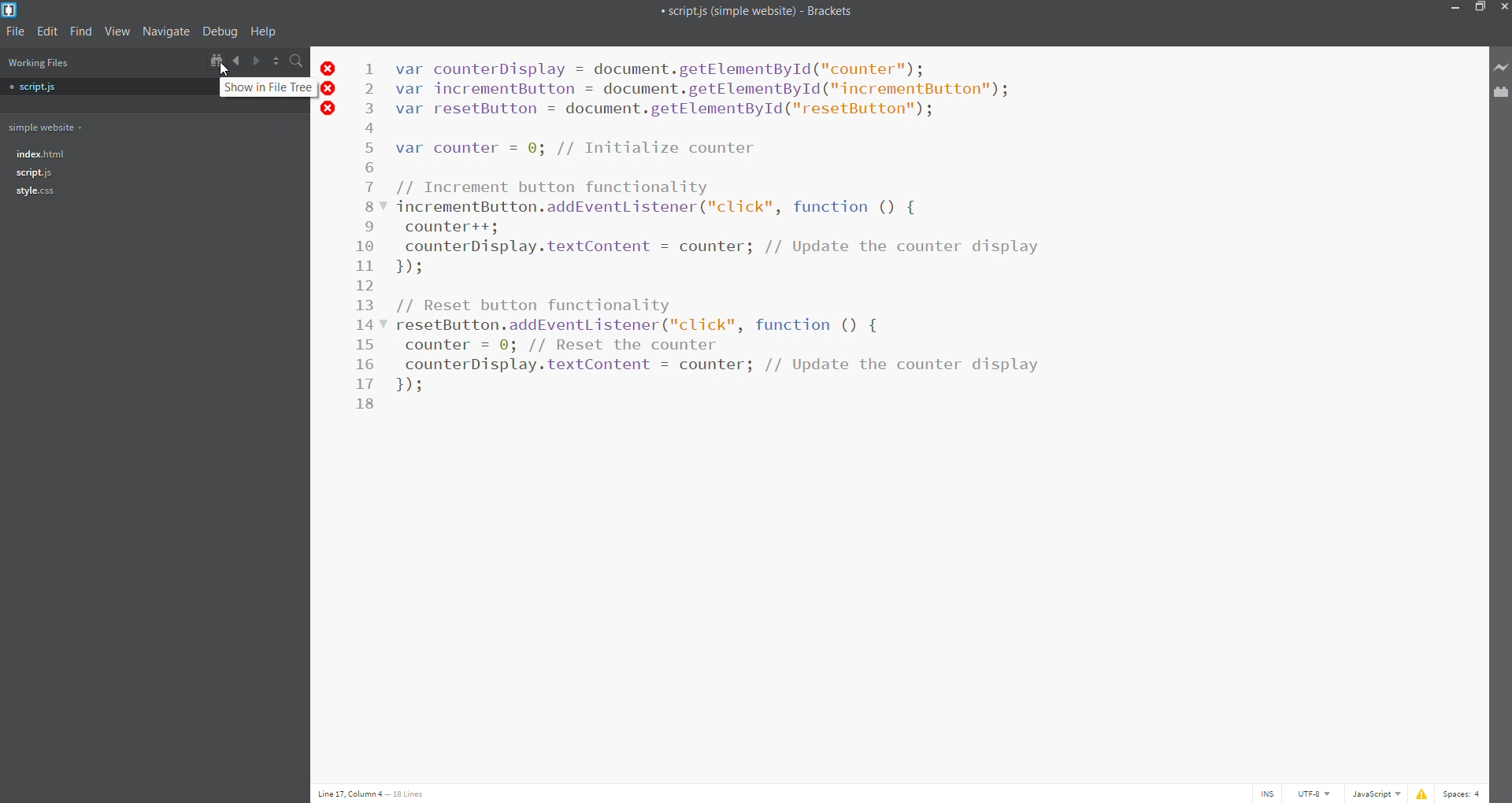  Describe the element at coordinates (1502, 67) in the screenshot. I see `live preview` at that location.